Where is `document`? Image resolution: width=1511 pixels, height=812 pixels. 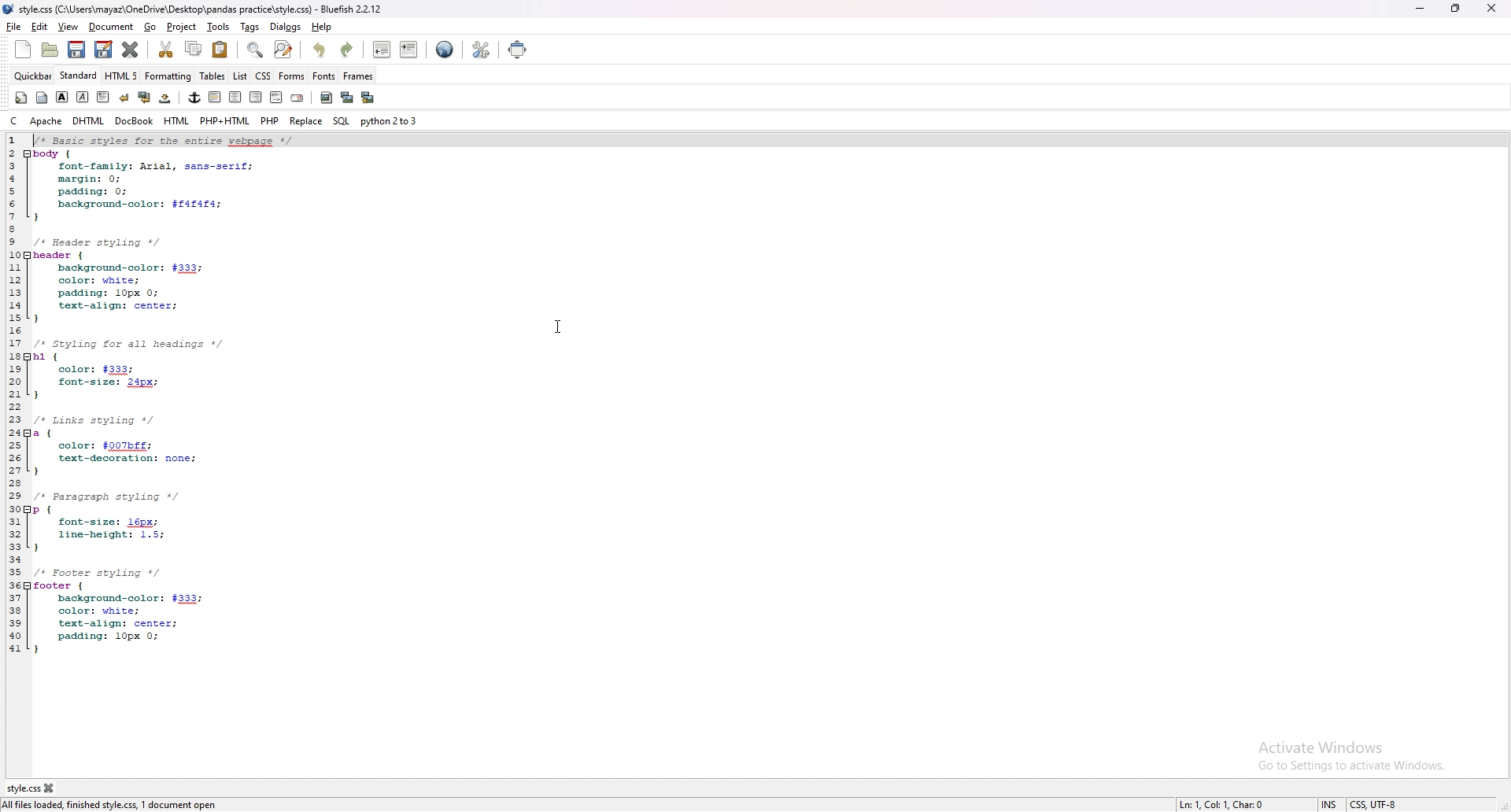
document is located at coordinates (112, 27).